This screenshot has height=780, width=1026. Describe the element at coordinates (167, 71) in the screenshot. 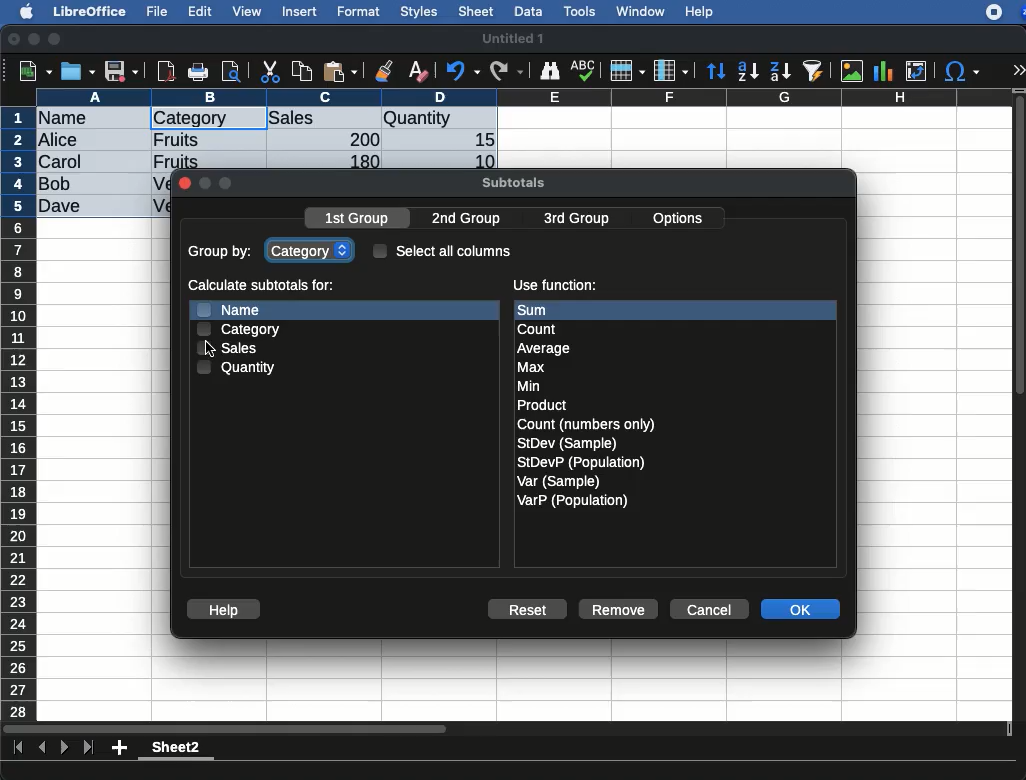

I see `pdf preview` at that location.